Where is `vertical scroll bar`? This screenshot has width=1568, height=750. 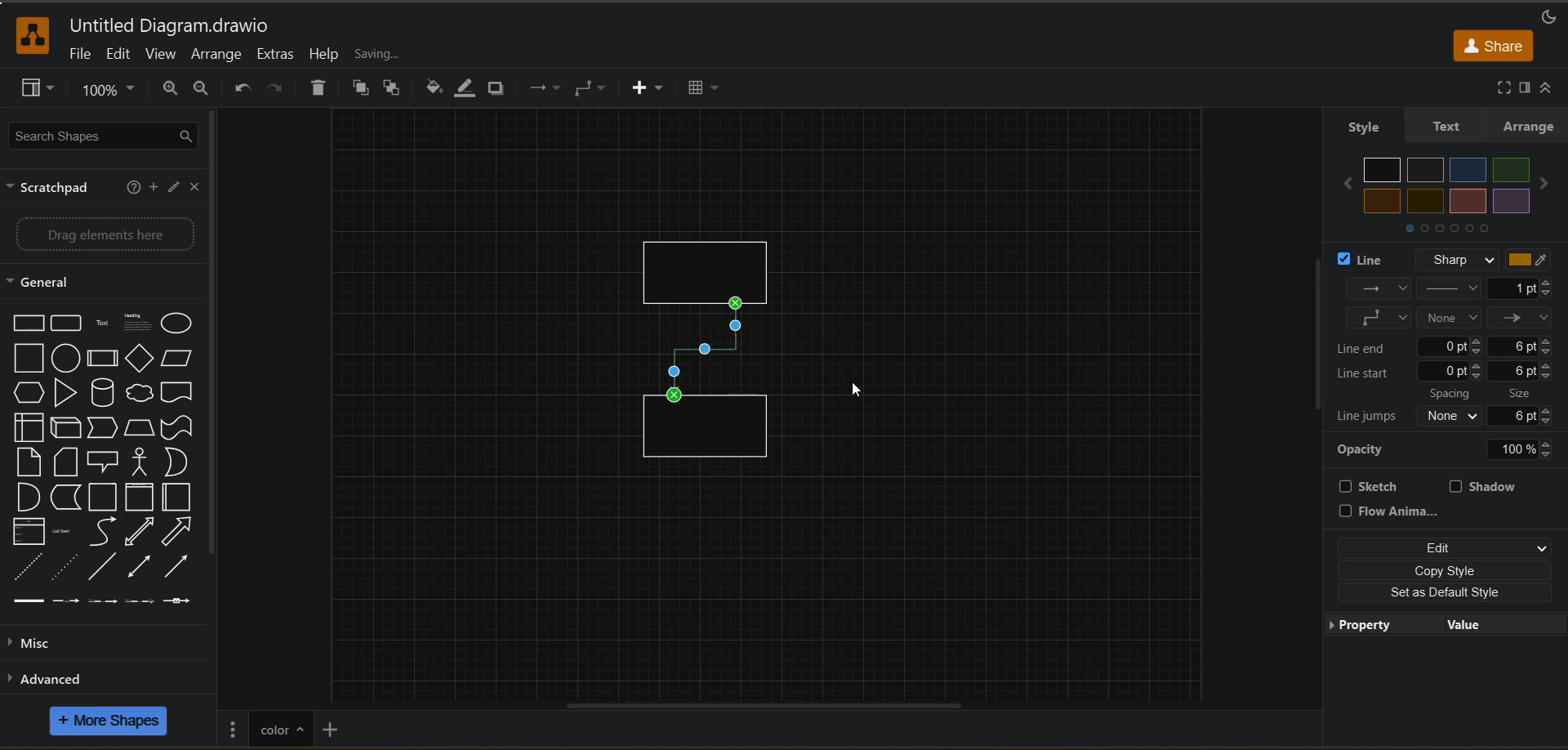 vertical scroll bar is located at coordinates (1312, 334).